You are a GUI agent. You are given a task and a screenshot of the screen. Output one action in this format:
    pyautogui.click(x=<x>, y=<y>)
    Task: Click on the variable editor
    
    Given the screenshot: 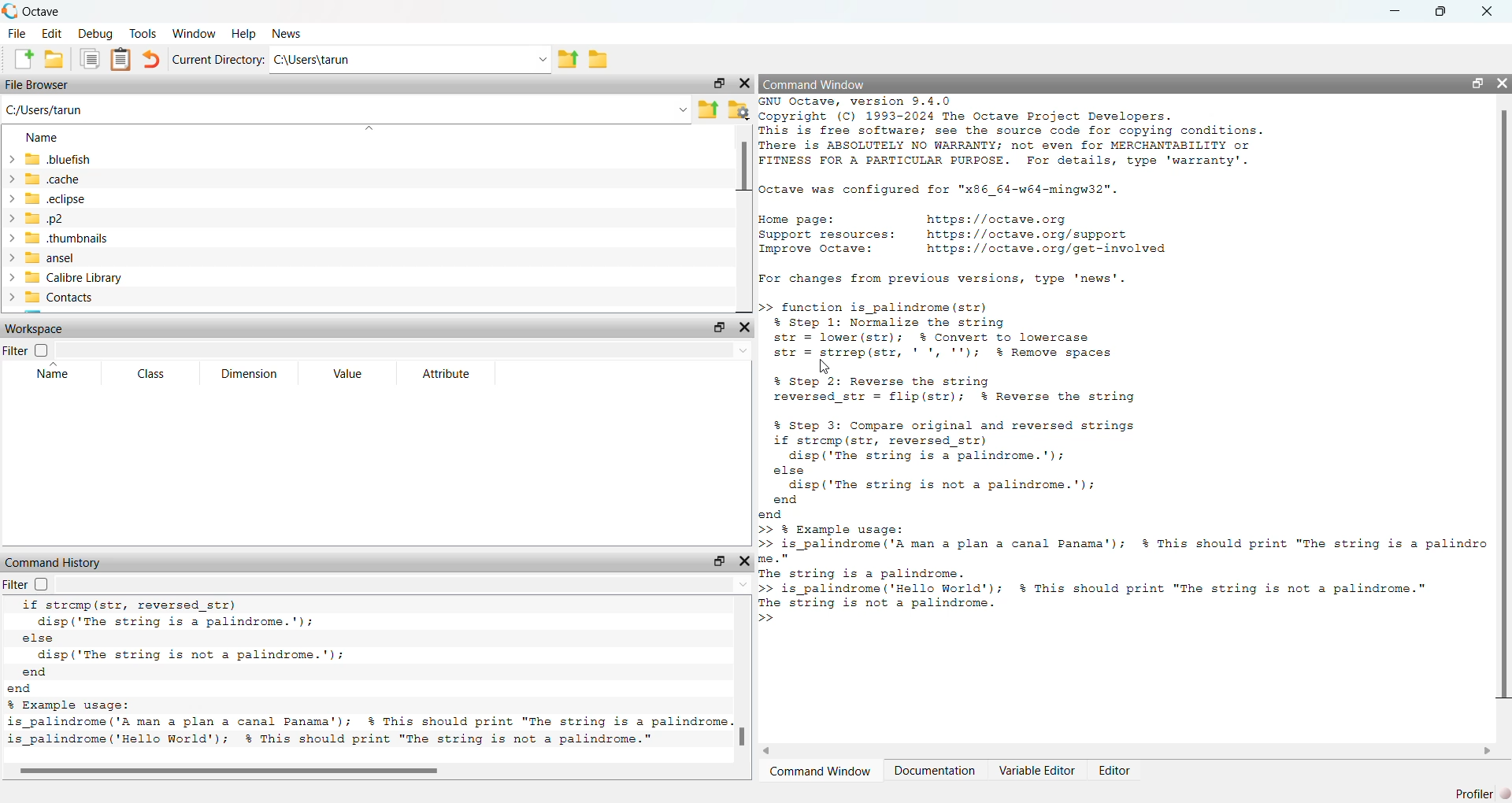 What is the action you would take?
    pyautogui.click(x=1038, y=770)
    